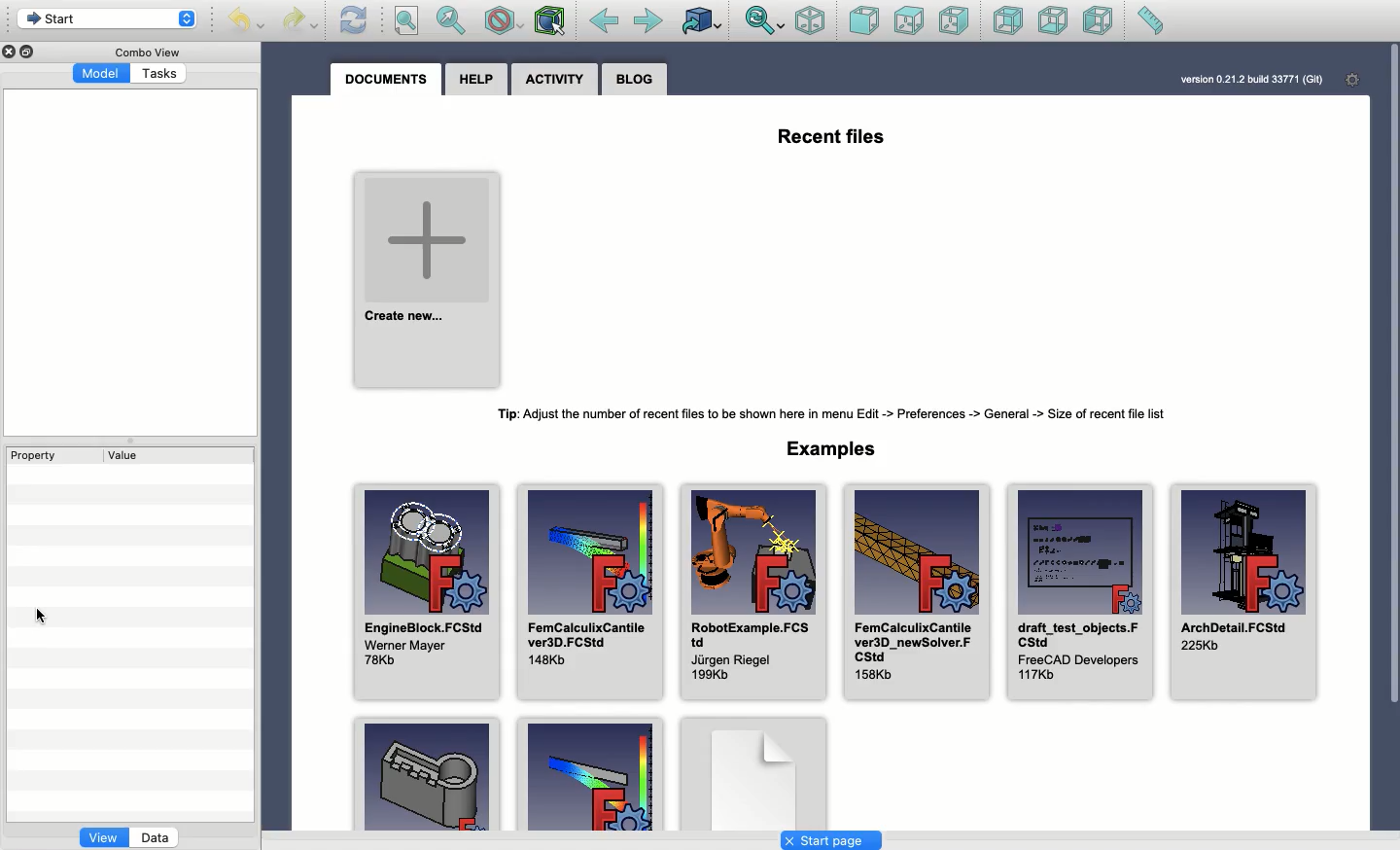  I want to click on cursor, so click(43, 616).